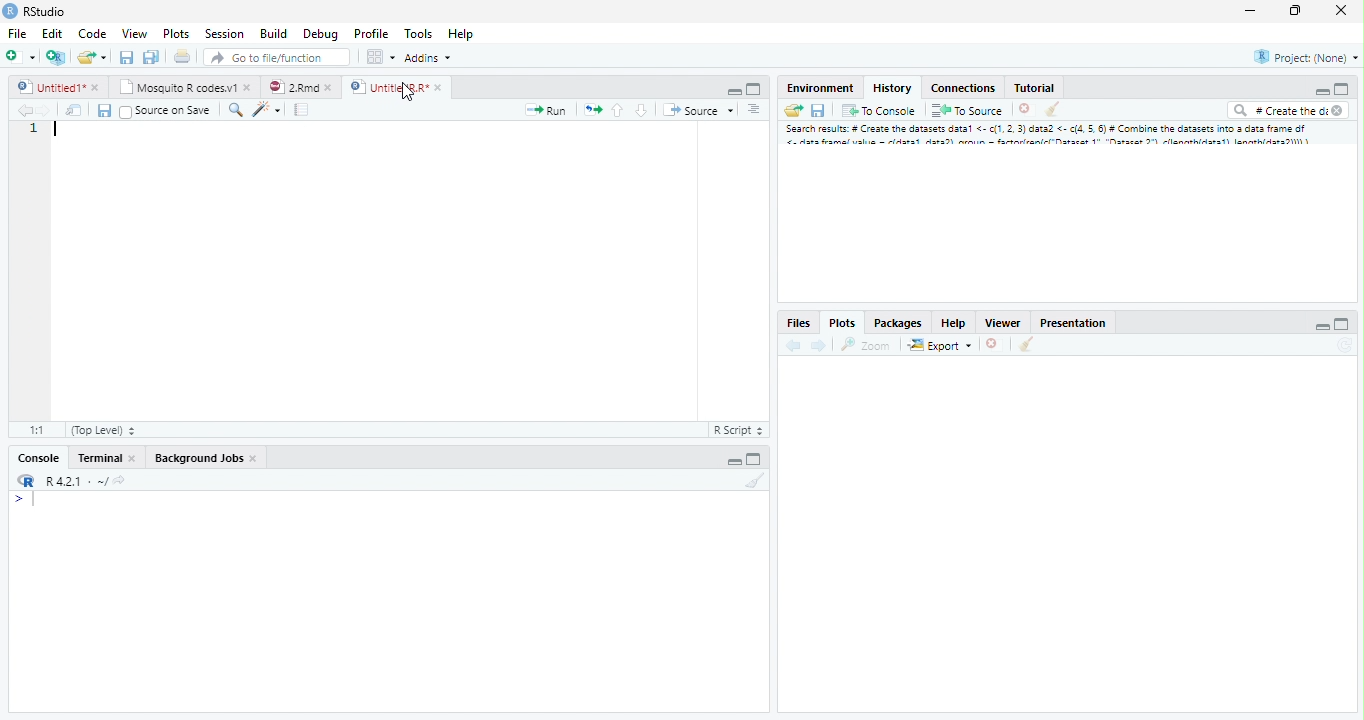 This screenshot has width=1364, height=720. What do you see at coordinates (1321, 92) in the screenshot?
I see `Minimize` at bounding box center [1321, 92].